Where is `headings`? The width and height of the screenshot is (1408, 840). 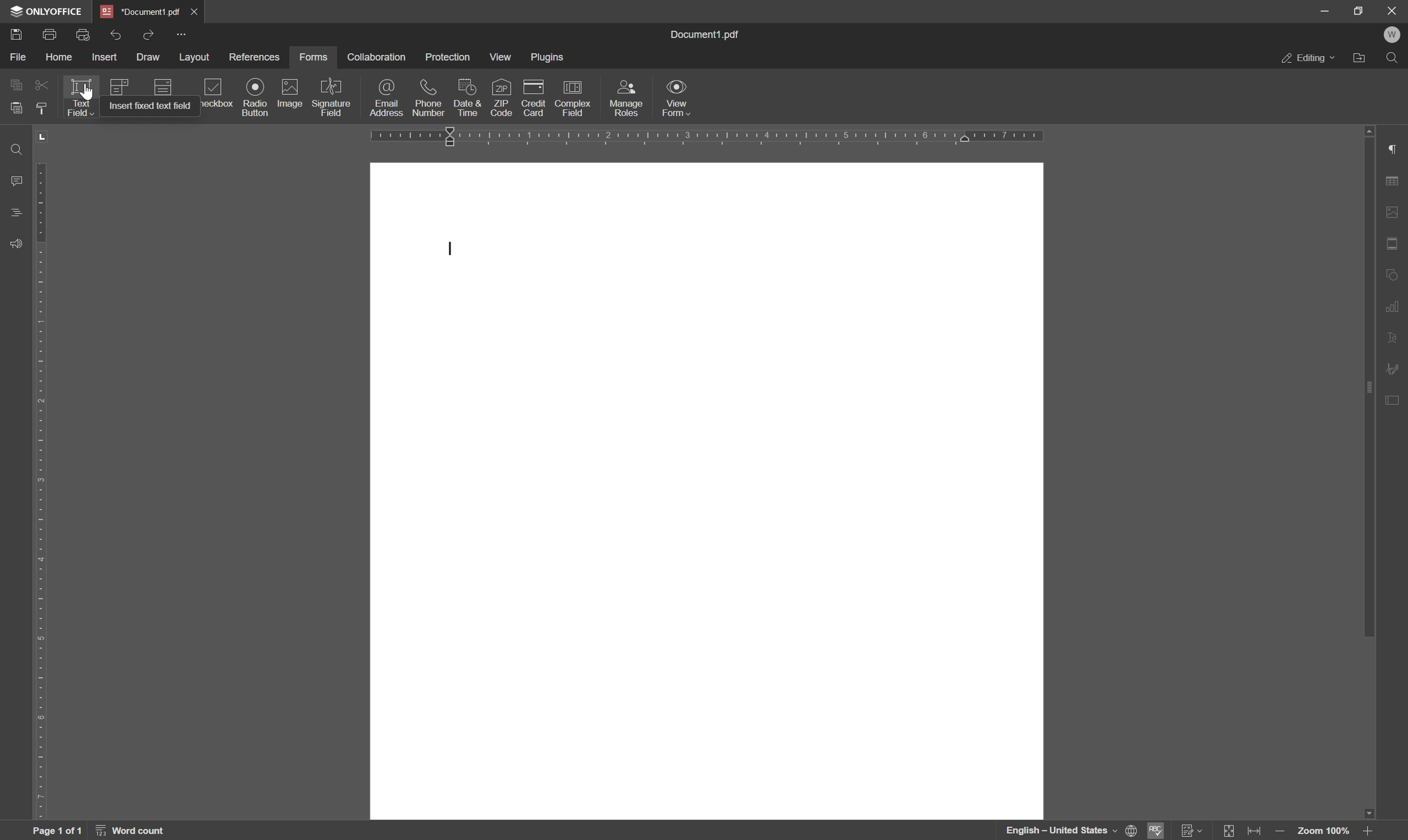 headings is located at coordinates (12, 213).